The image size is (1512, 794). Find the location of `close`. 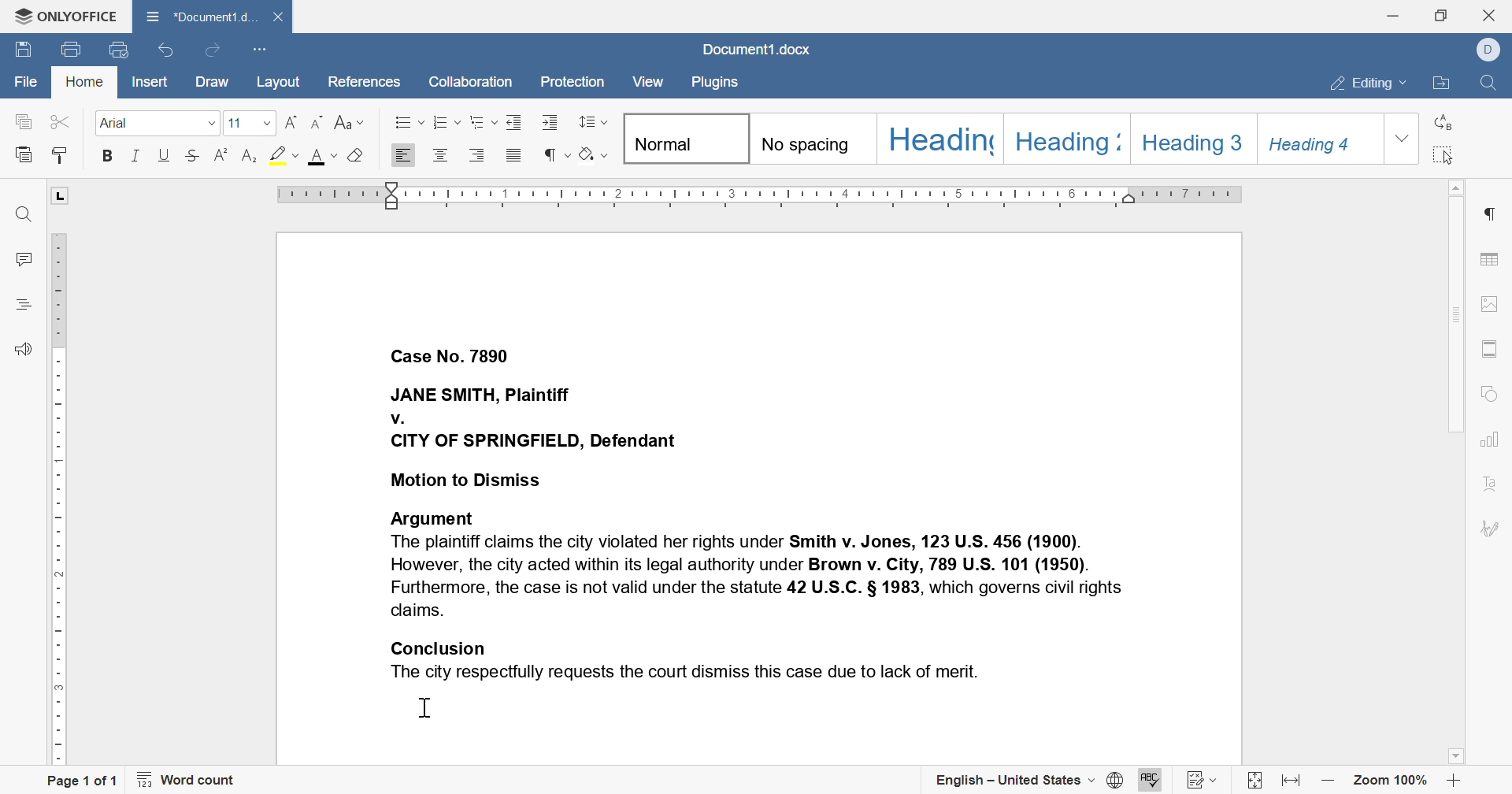

close is located at coordinates (1488, 14).